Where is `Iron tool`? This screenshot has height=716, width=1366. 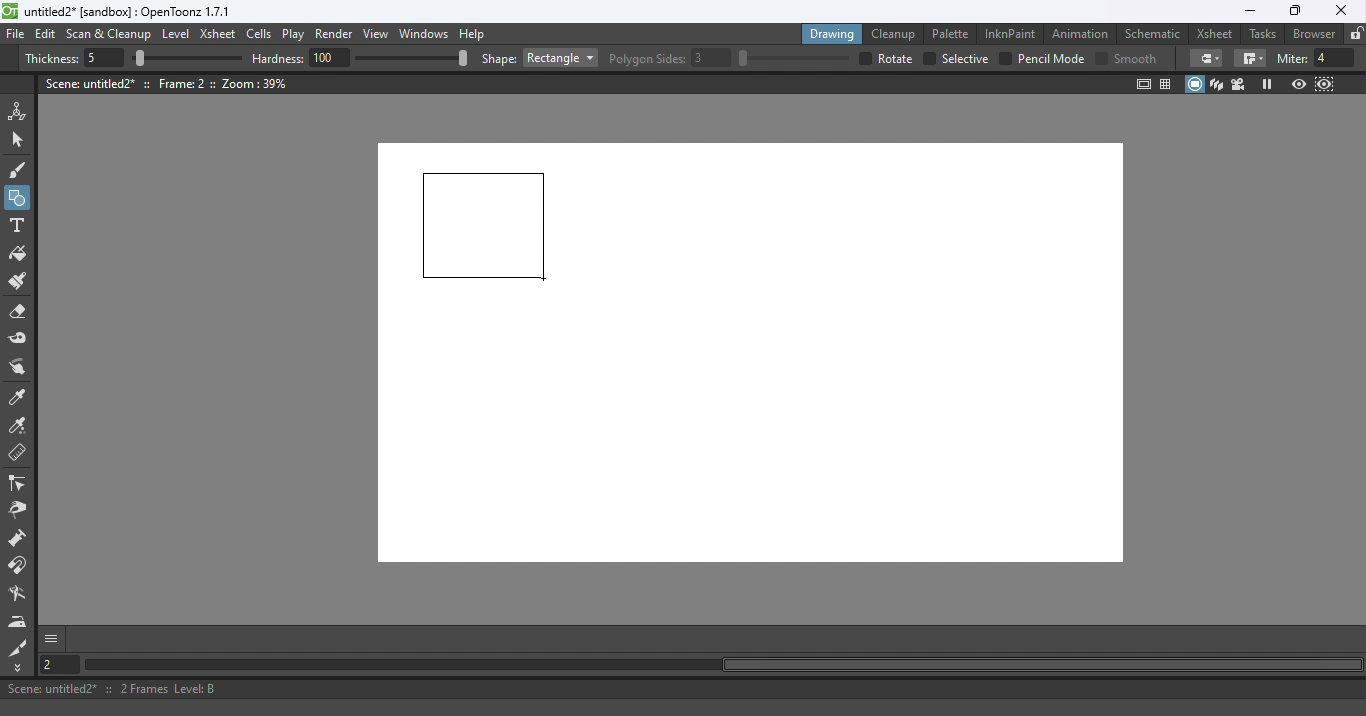 Iron tool is located at coordinates (20, 621).